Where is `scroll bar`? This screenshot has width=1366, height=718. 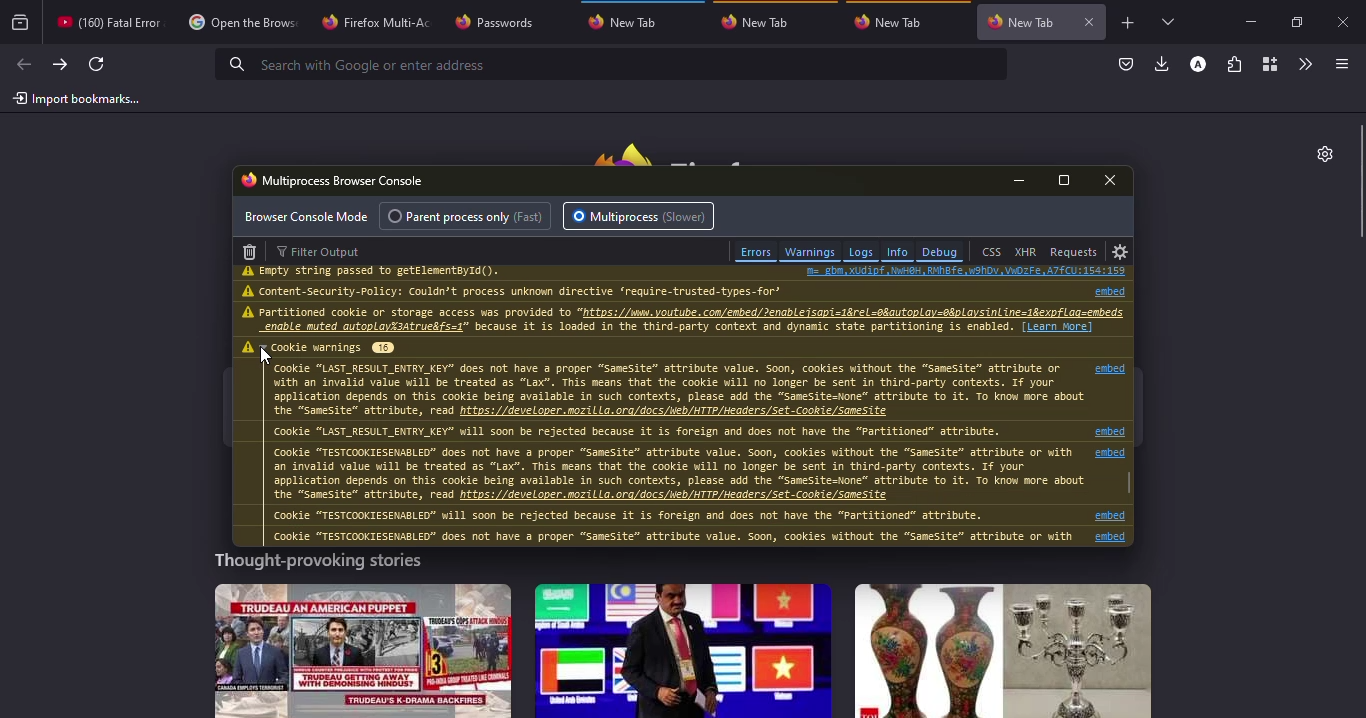
scroll bar is located at coordinates (1129, 481).